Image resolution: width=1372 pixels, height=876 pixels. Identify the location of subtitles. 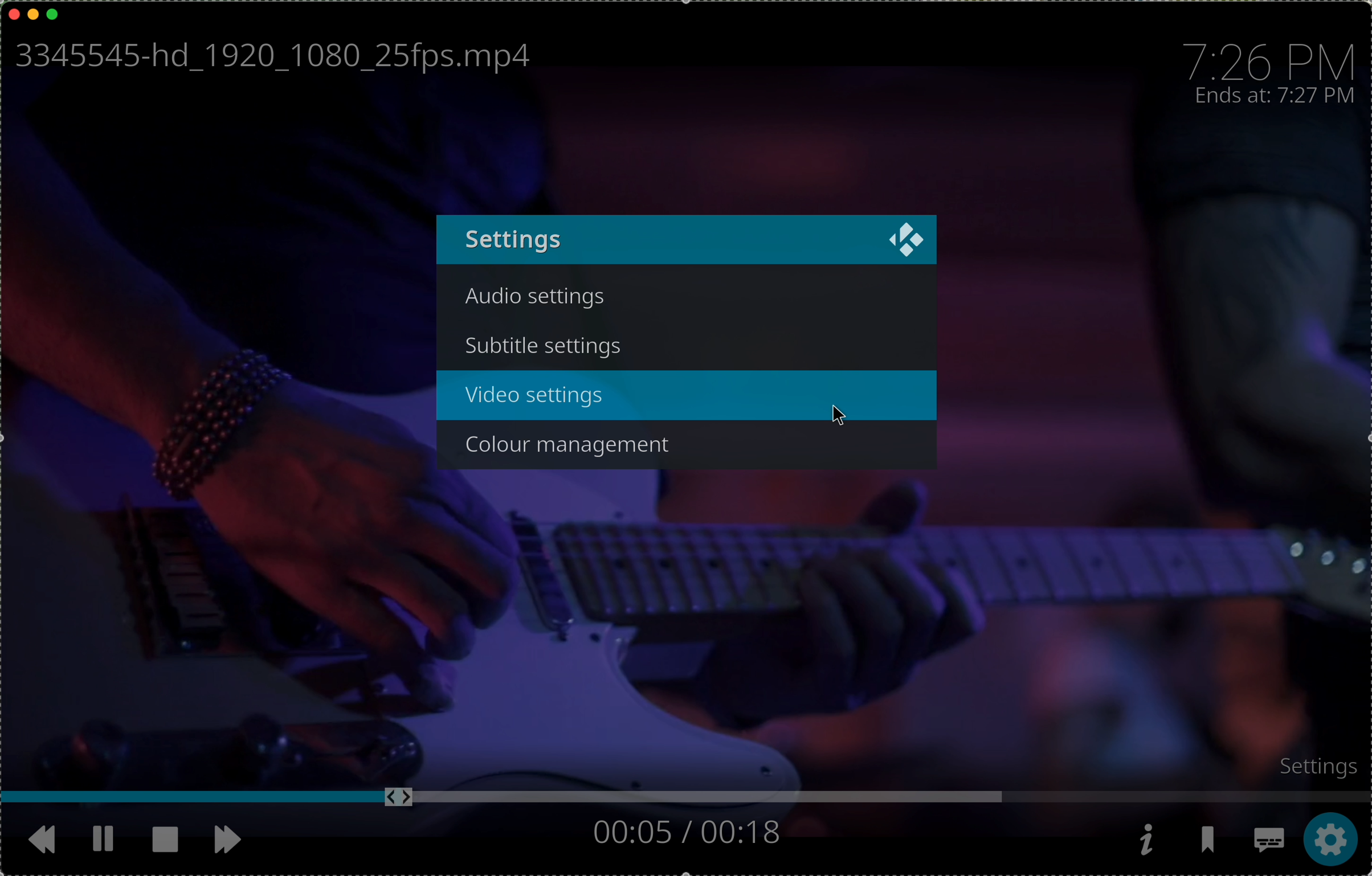
(1269, 843).